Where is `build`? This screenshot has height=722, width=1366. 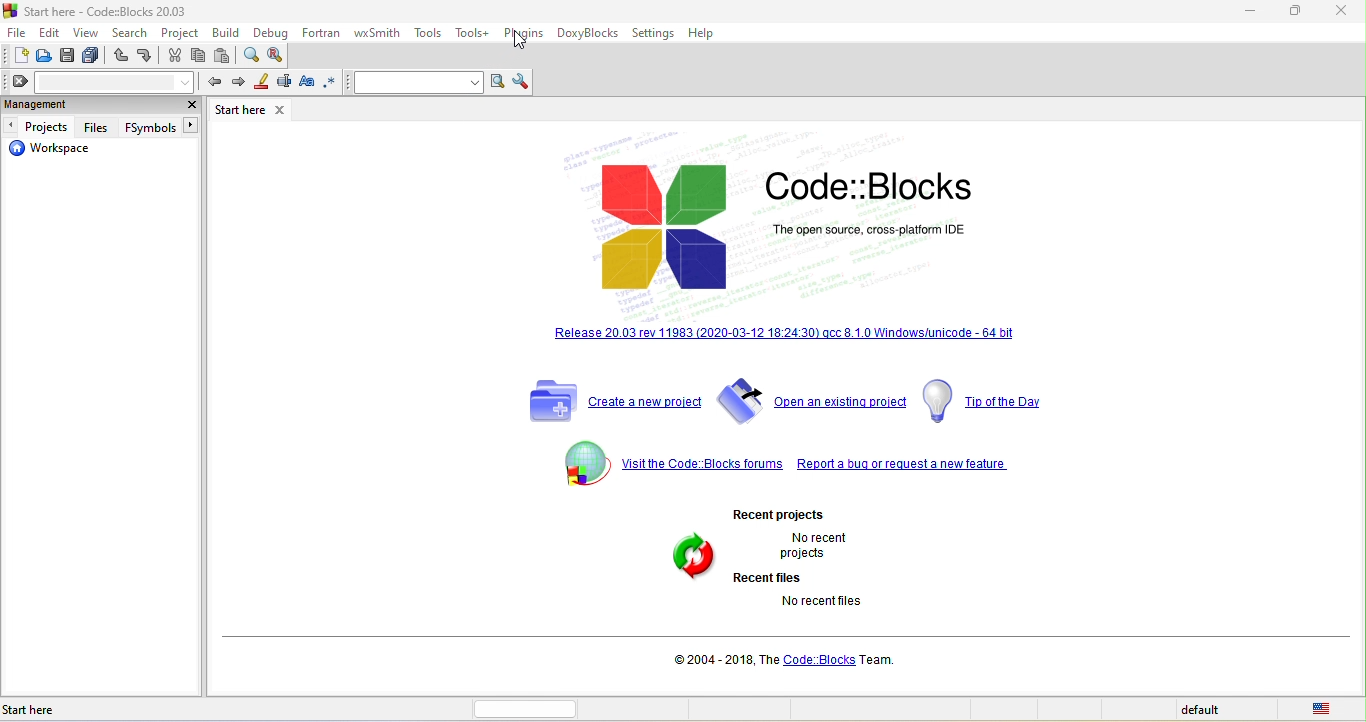
build is located at coordinates (227, 32).